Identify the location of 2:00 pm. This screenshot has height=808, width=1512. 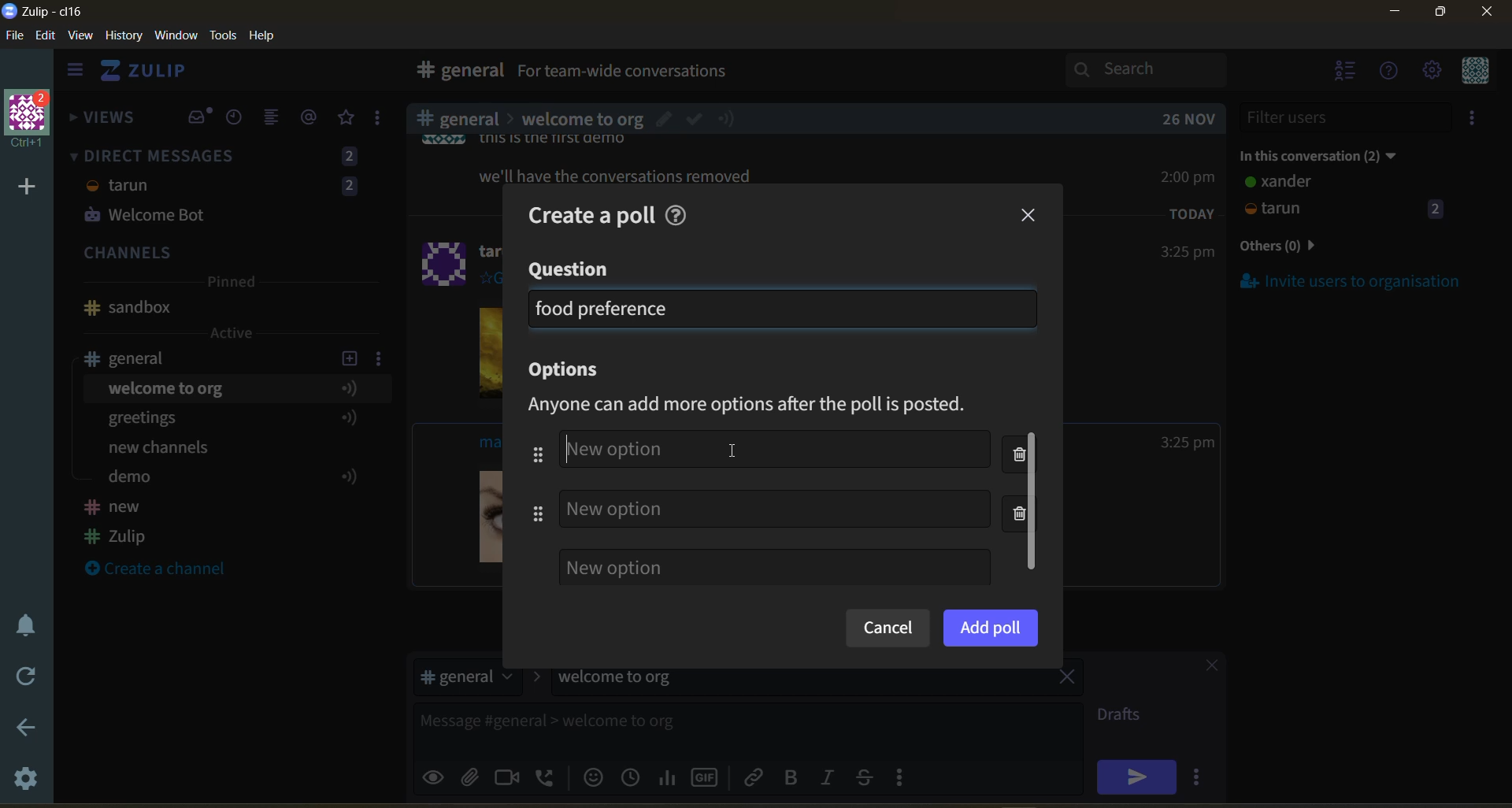
(1190, 176).